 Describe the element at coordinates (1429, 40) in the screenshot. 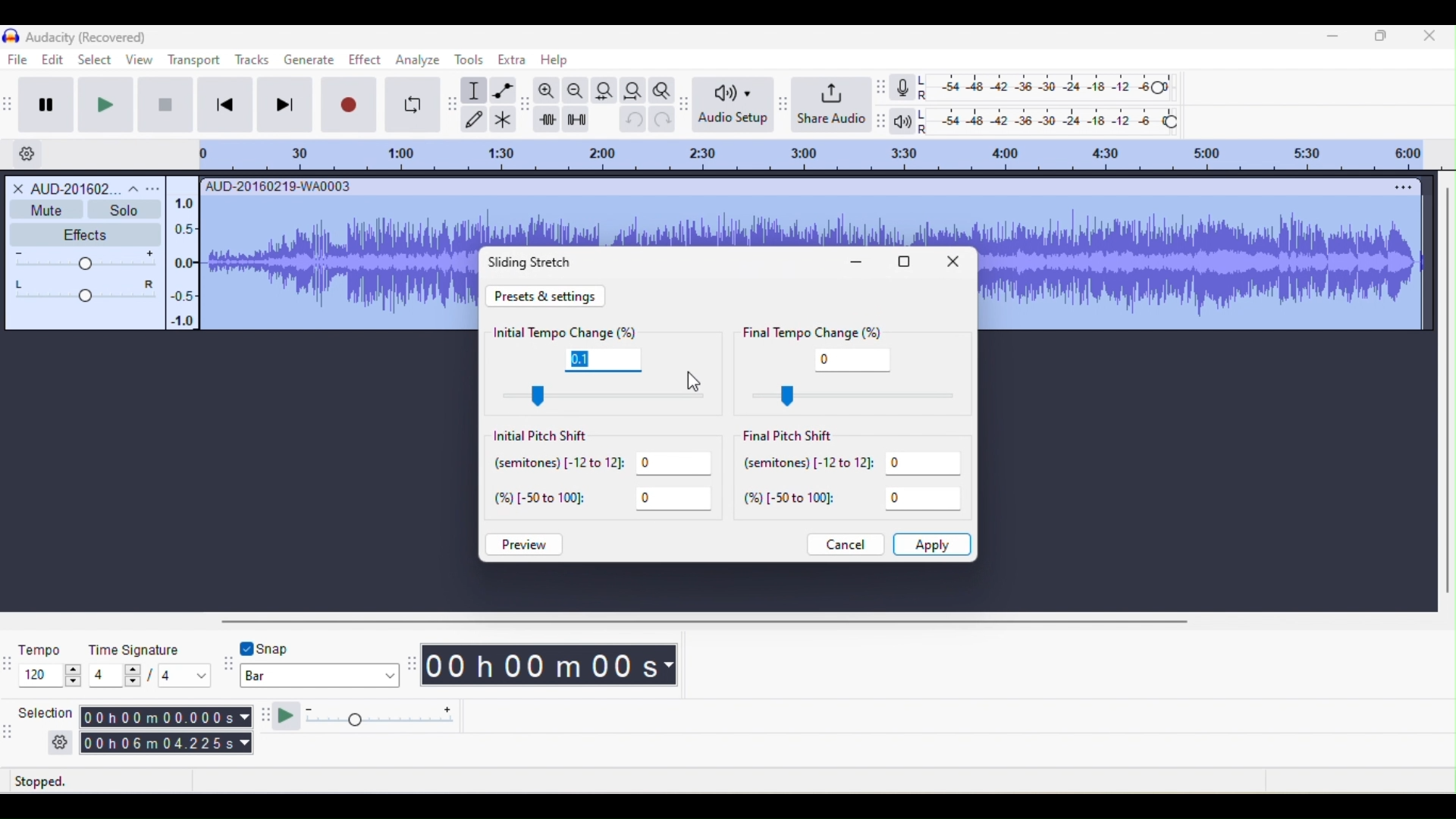

I see `close` at that location.